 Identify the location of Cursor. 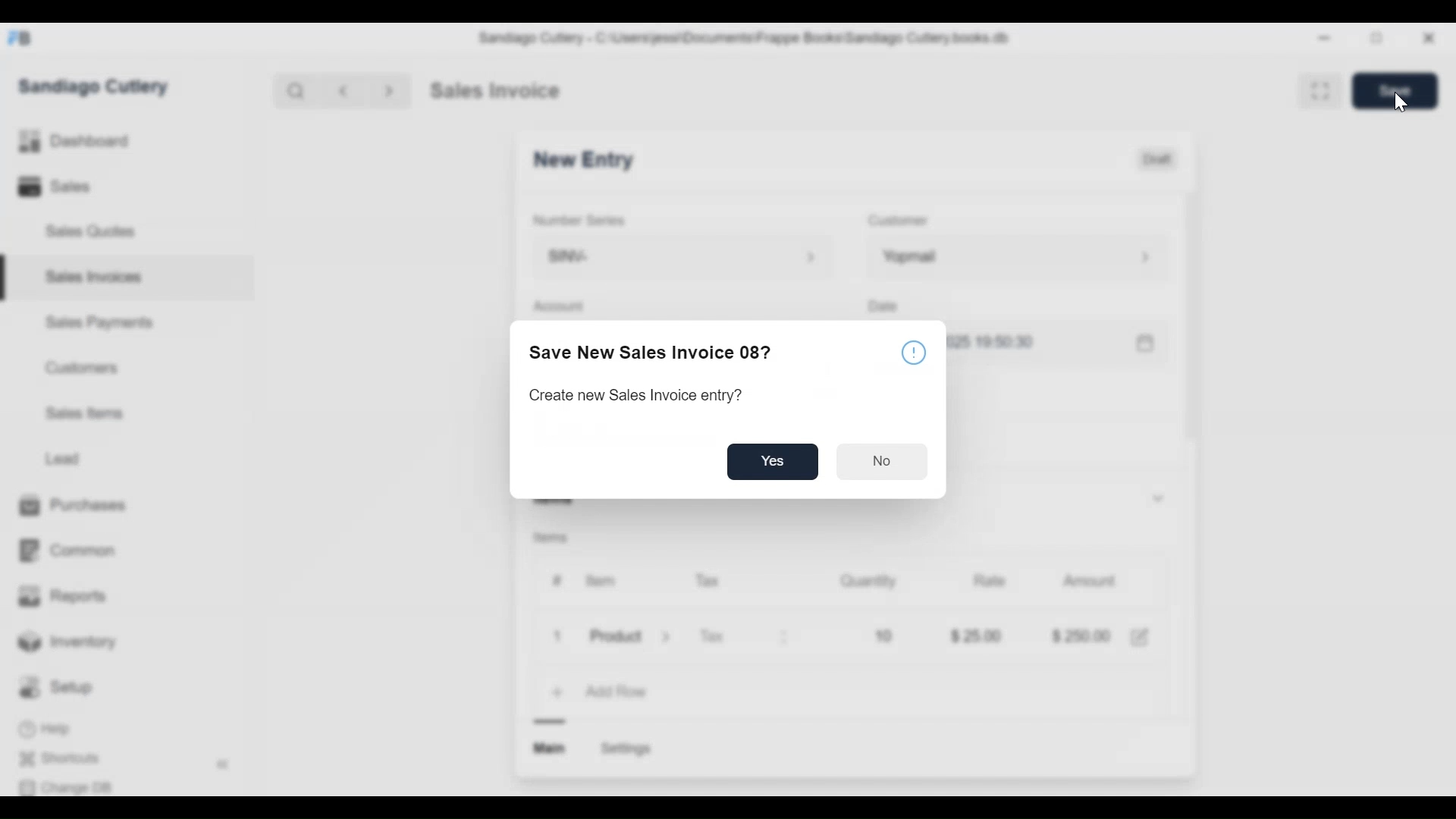
(1402, 102).